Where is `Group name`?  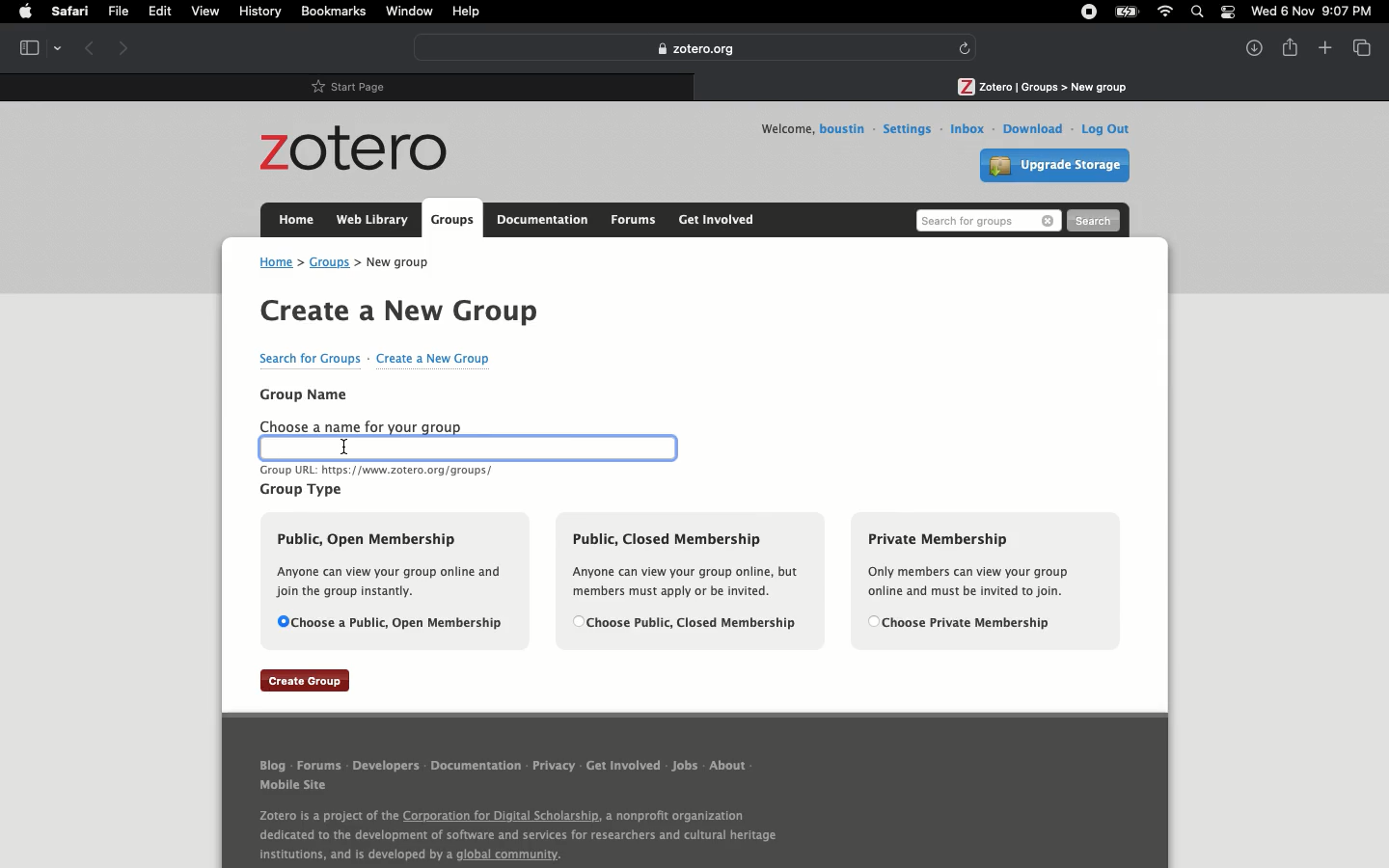 Group name is located at coordinates (304, 393).